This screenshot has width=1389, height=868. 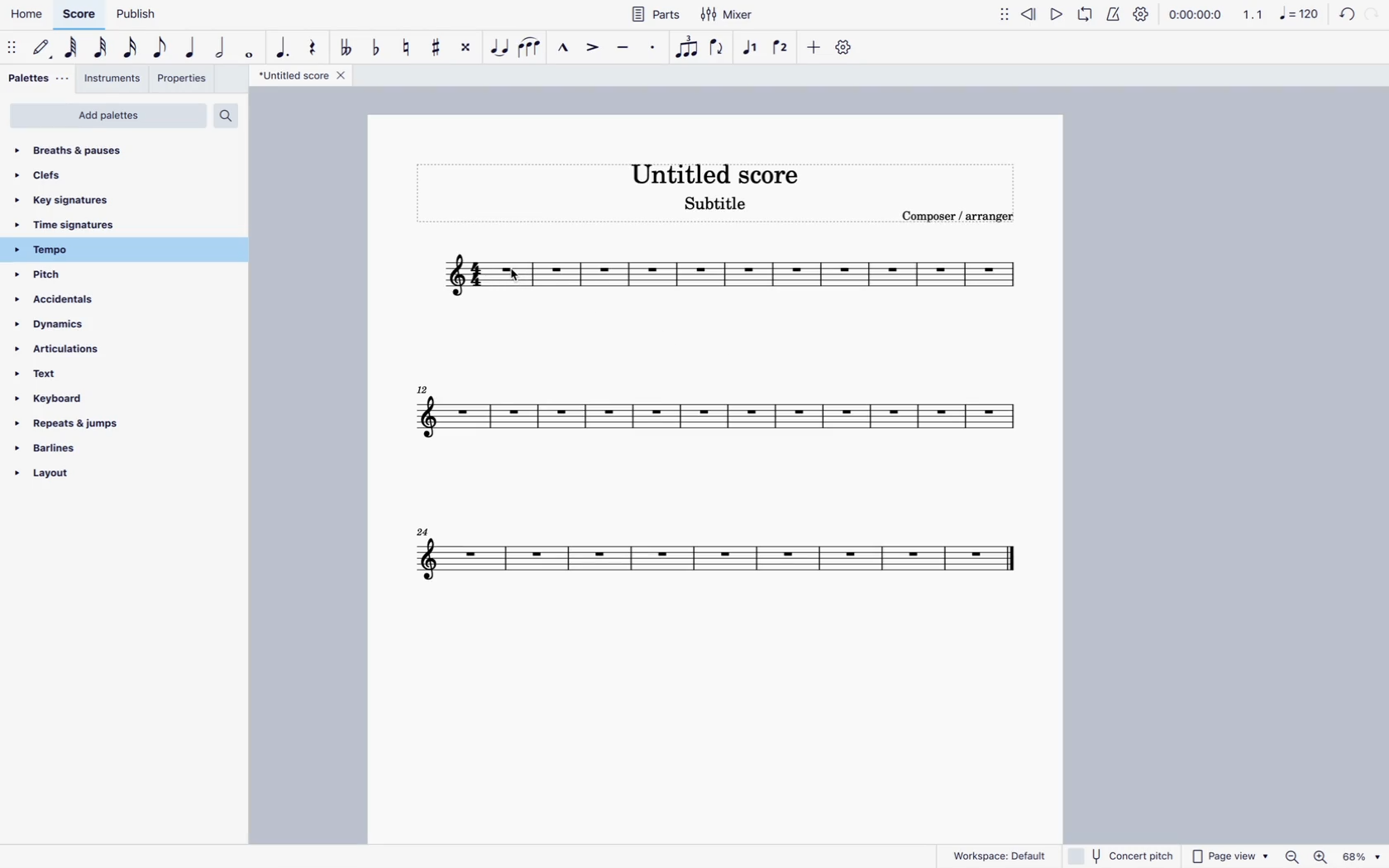 I want to click on toggle natural, so click(x=408, y=46).